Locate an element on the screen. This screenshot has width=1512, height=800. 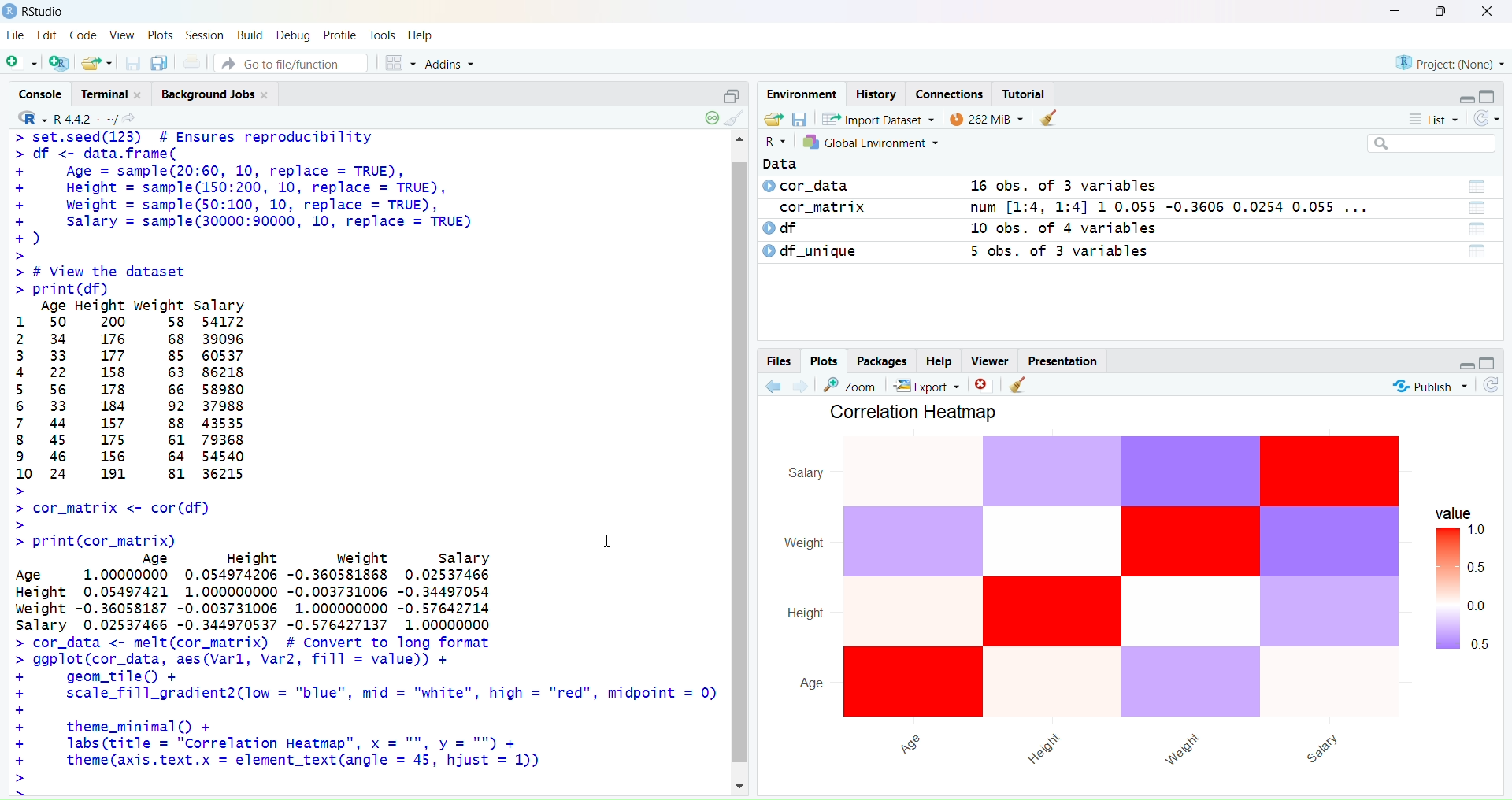
Save workspace as is located at coordinates (800, 119).